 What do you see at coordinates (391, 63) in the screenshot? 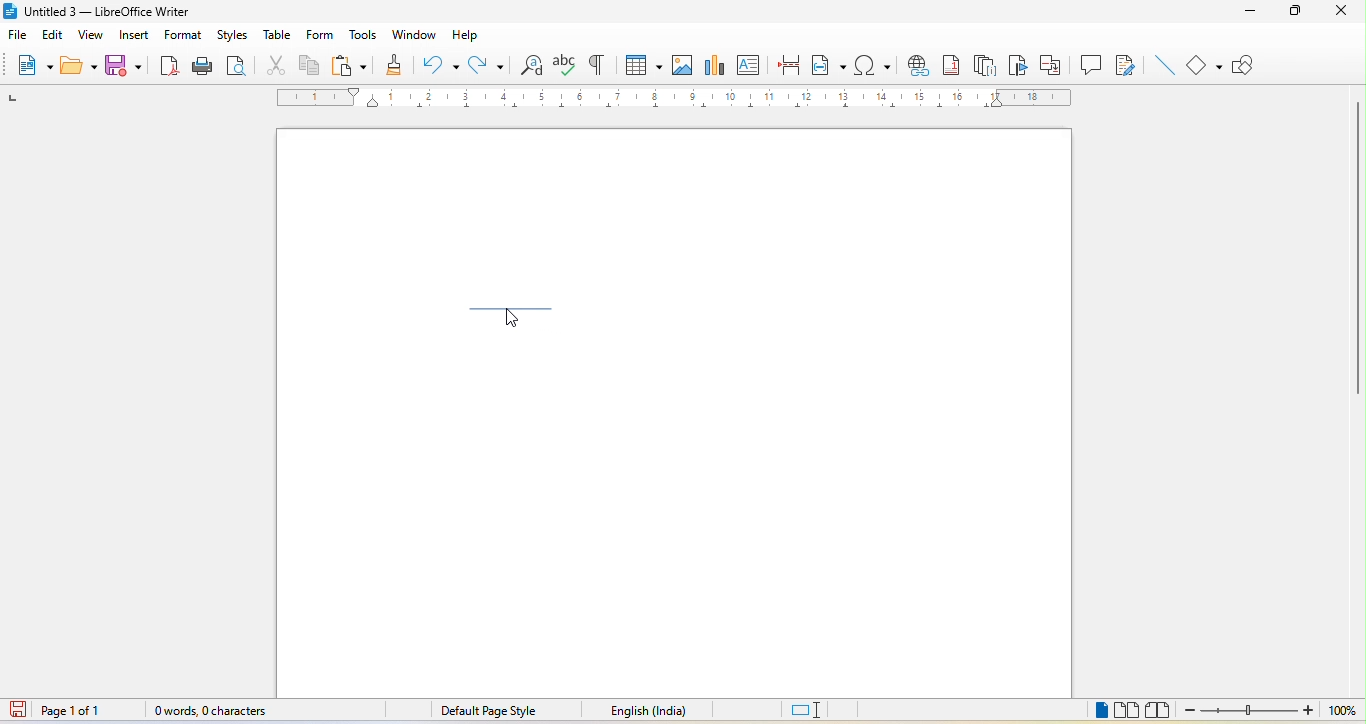
I see `clone formatting` at bounding box center [391, 63].